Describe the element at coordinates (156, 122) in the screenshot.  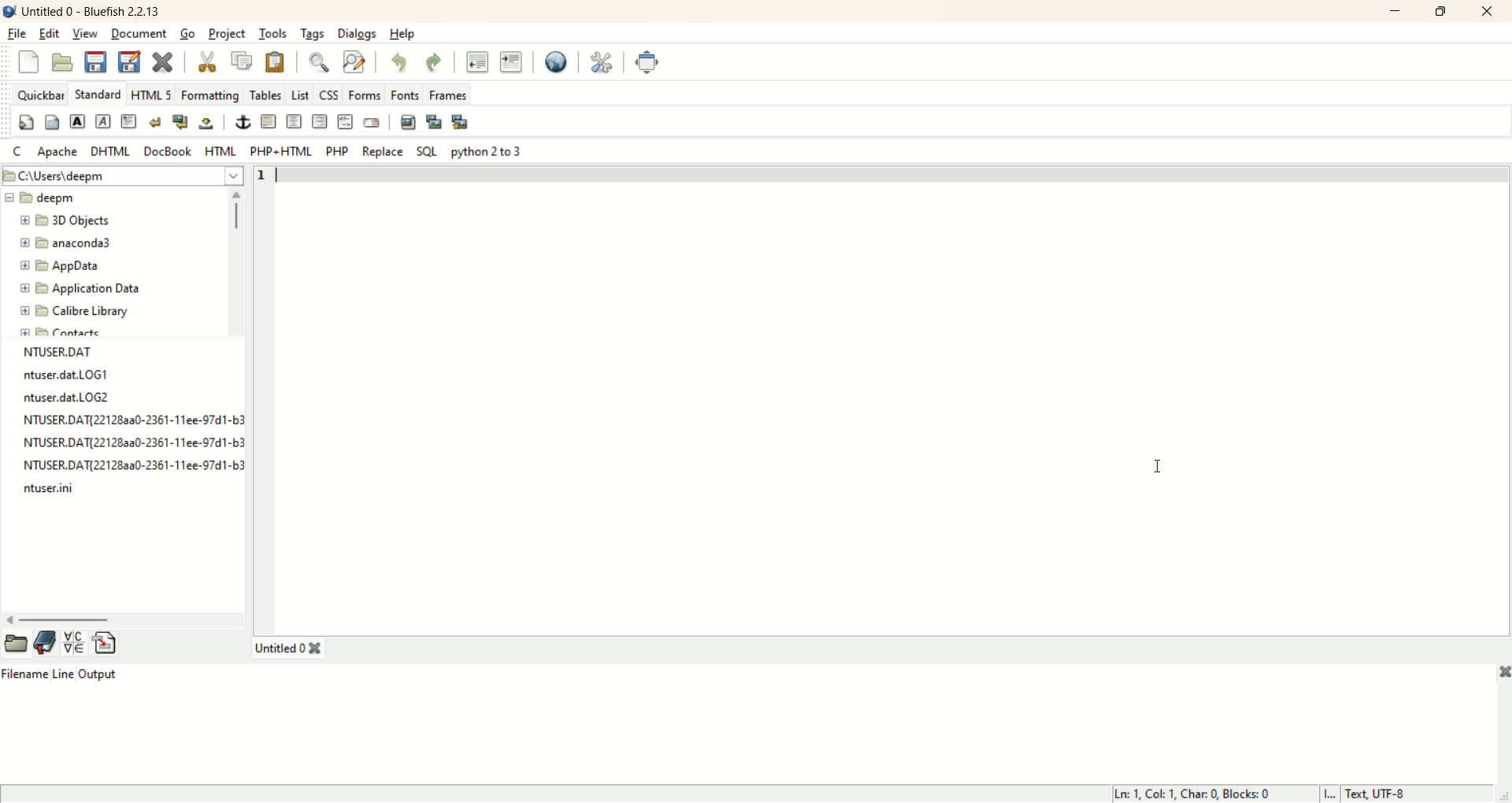
I see `break` at that location.